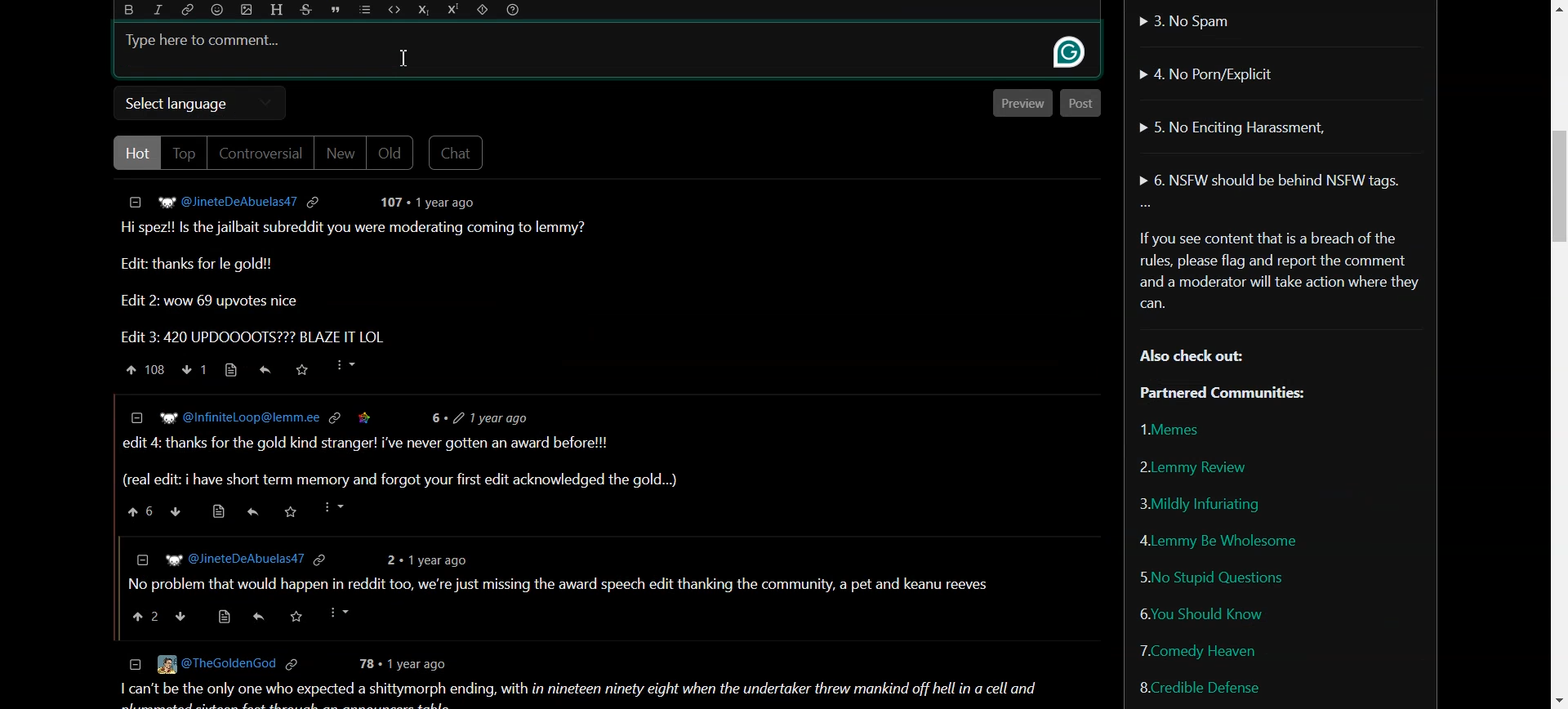 The image size is (1568, 709). I want to click on New, so click(337, 155).